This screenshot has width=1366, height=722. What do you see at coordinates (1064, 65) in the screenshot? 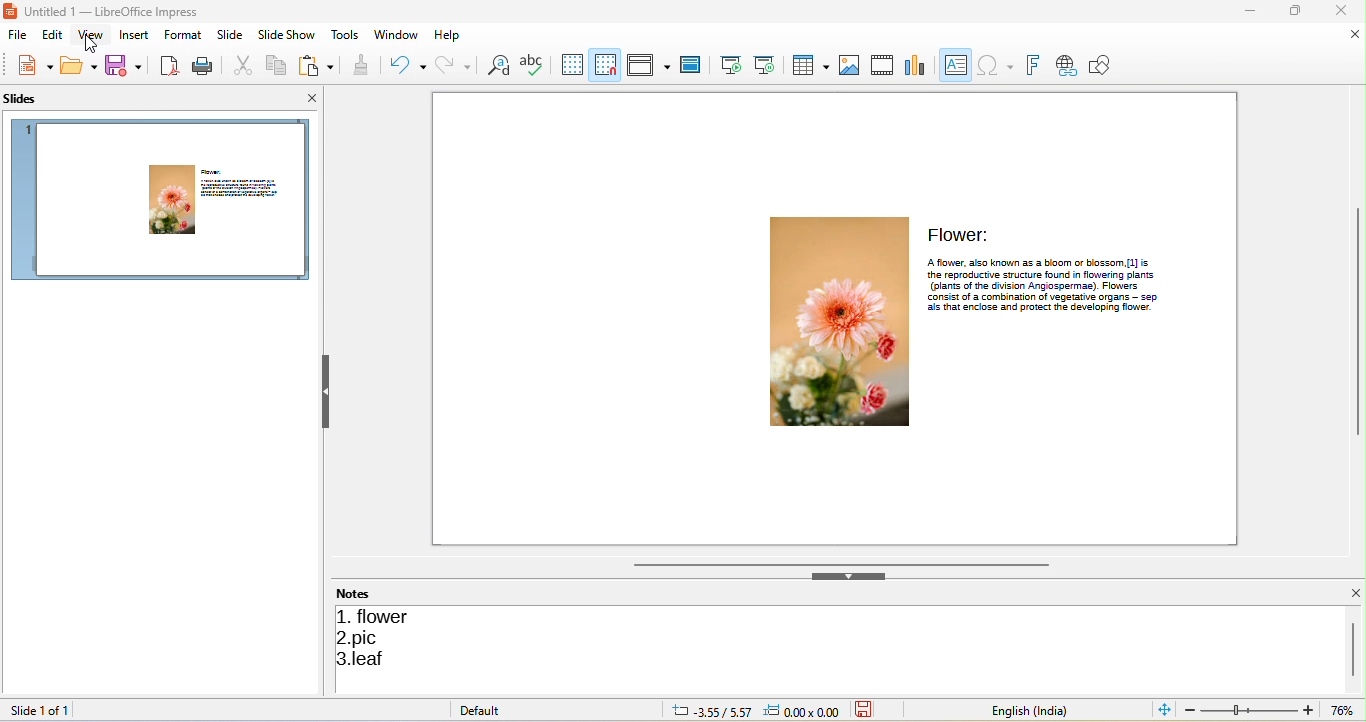
I see `hyperlink` at bounding box center [1064, 65].